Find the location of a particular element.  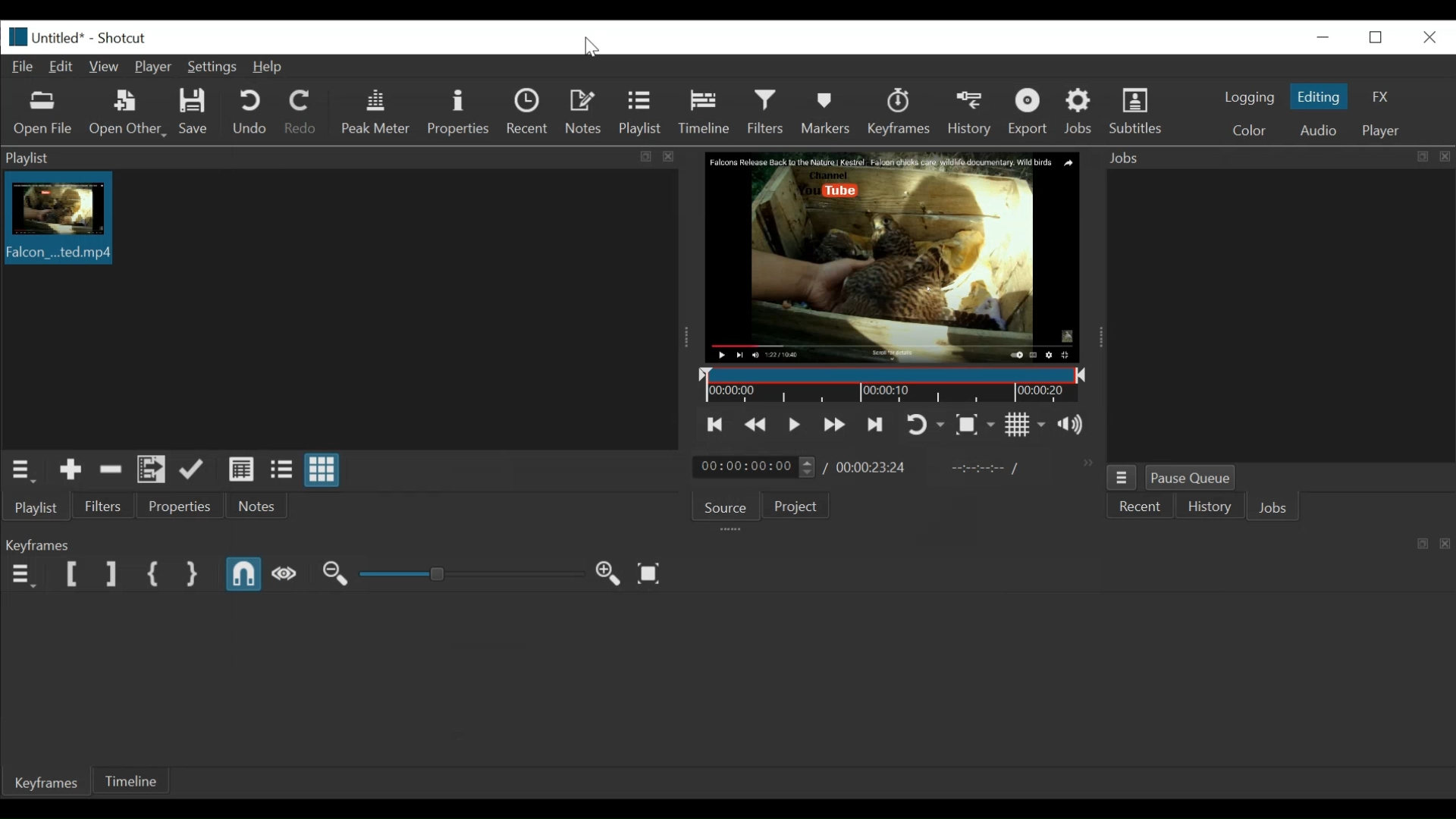

Keyframe is located at coordinates (899, 113).